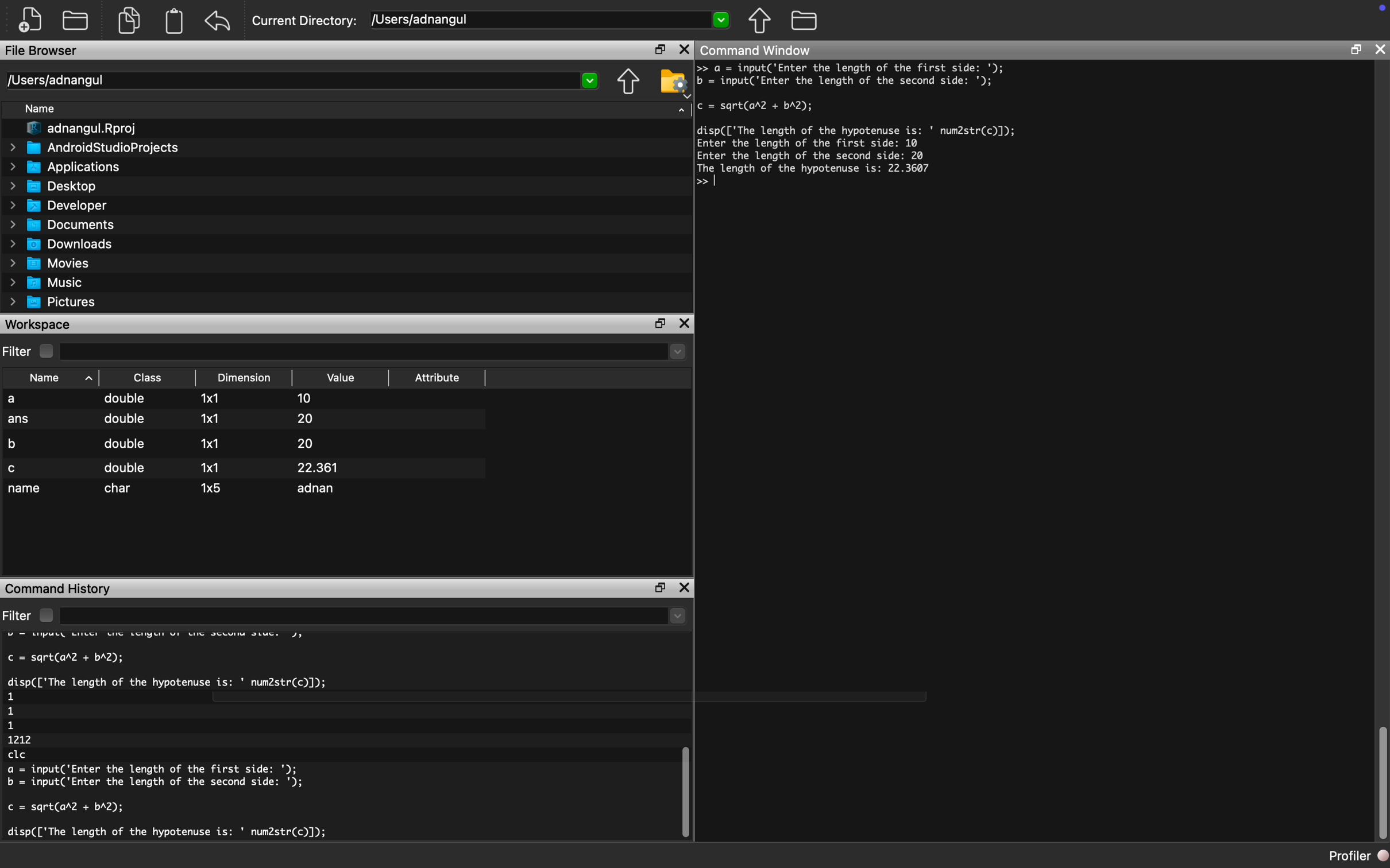 Image resolution: width=1390 pixels, height=868 pixels. I want to click on open folder, so click(77, 19).